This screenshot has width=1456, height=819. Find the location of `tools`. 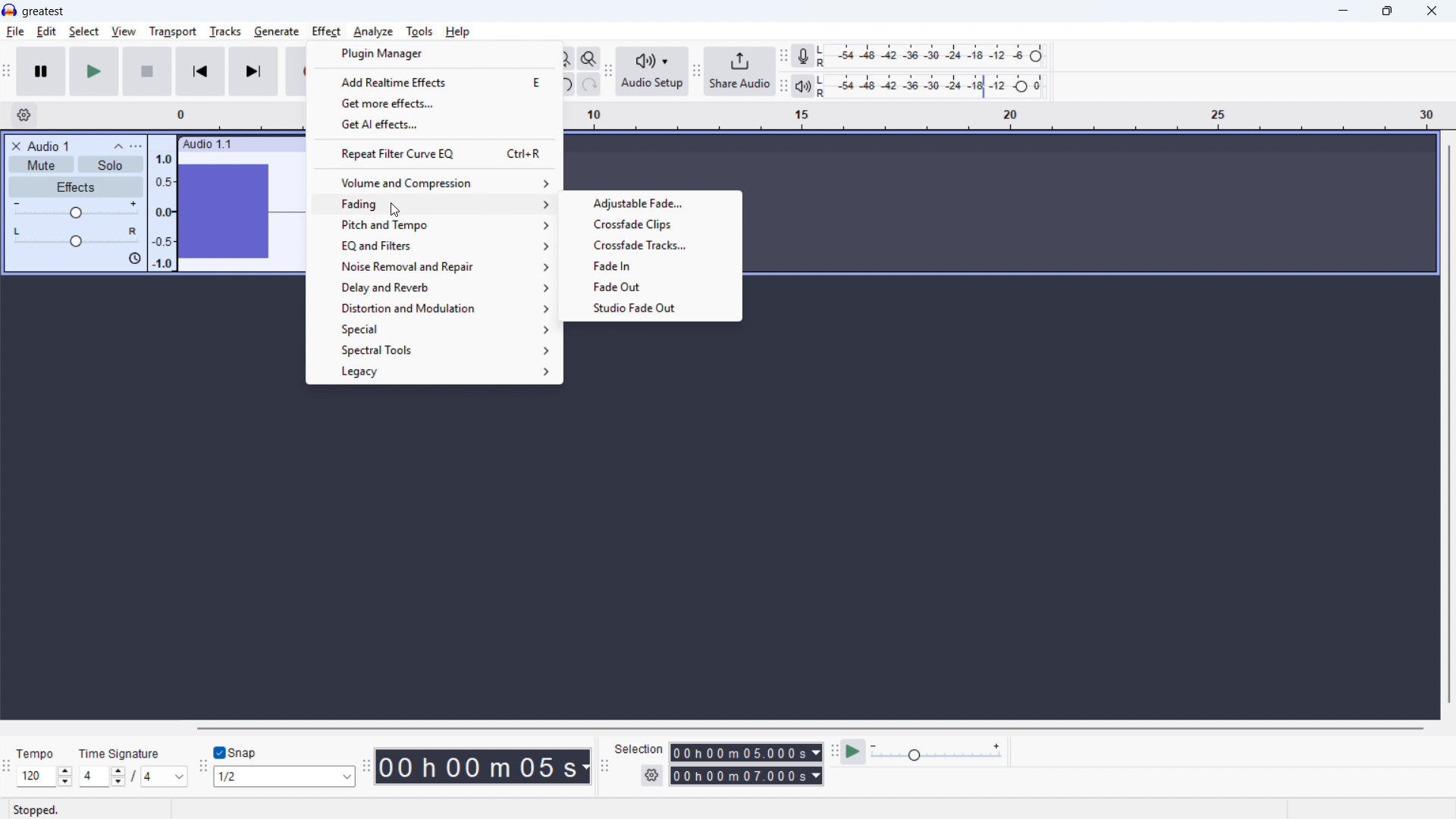

tools is located at coordinates (419, 32).